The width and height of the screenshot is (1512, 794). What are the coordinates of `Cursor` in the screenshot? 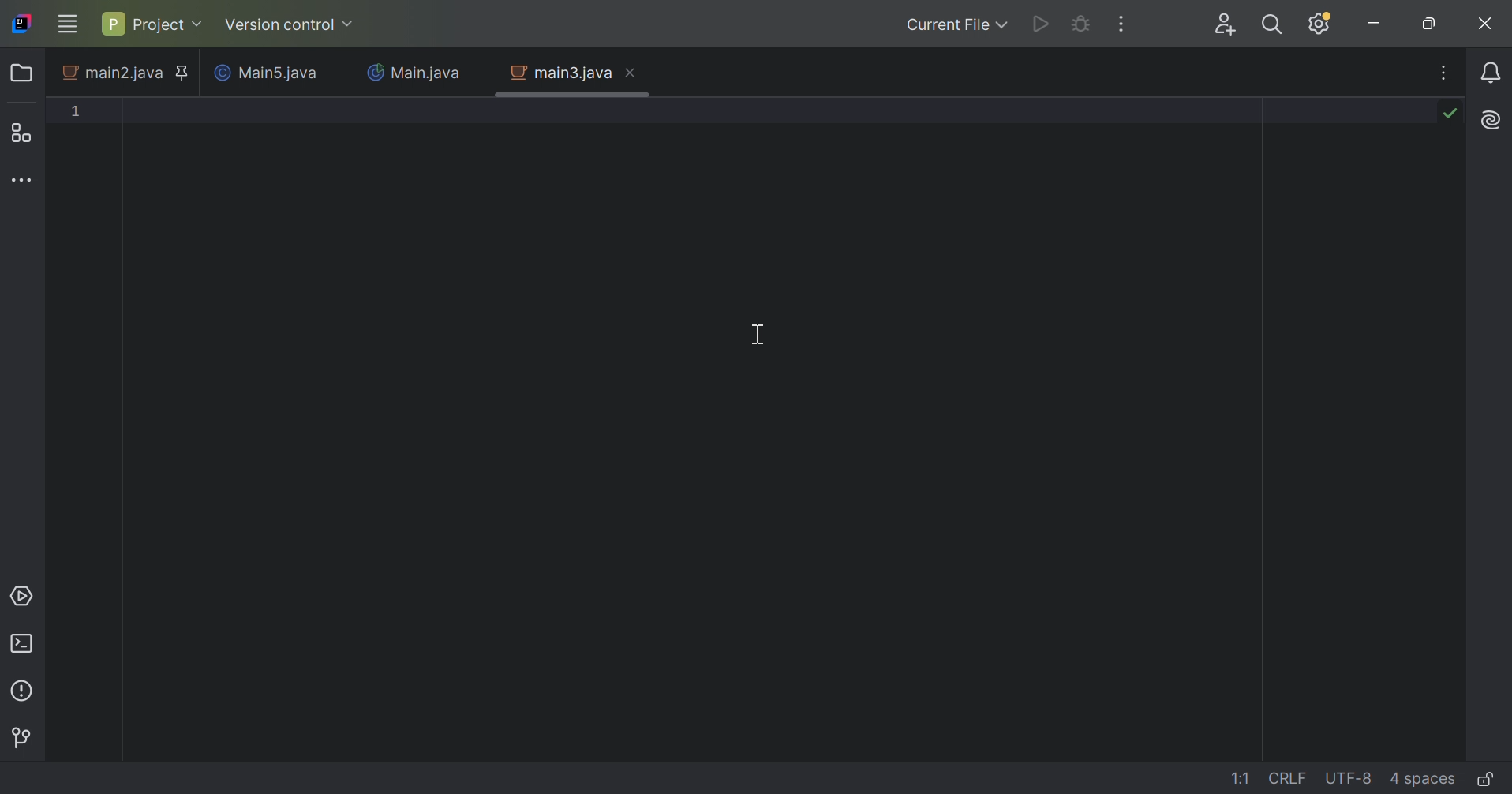 It's located at (759, 333).